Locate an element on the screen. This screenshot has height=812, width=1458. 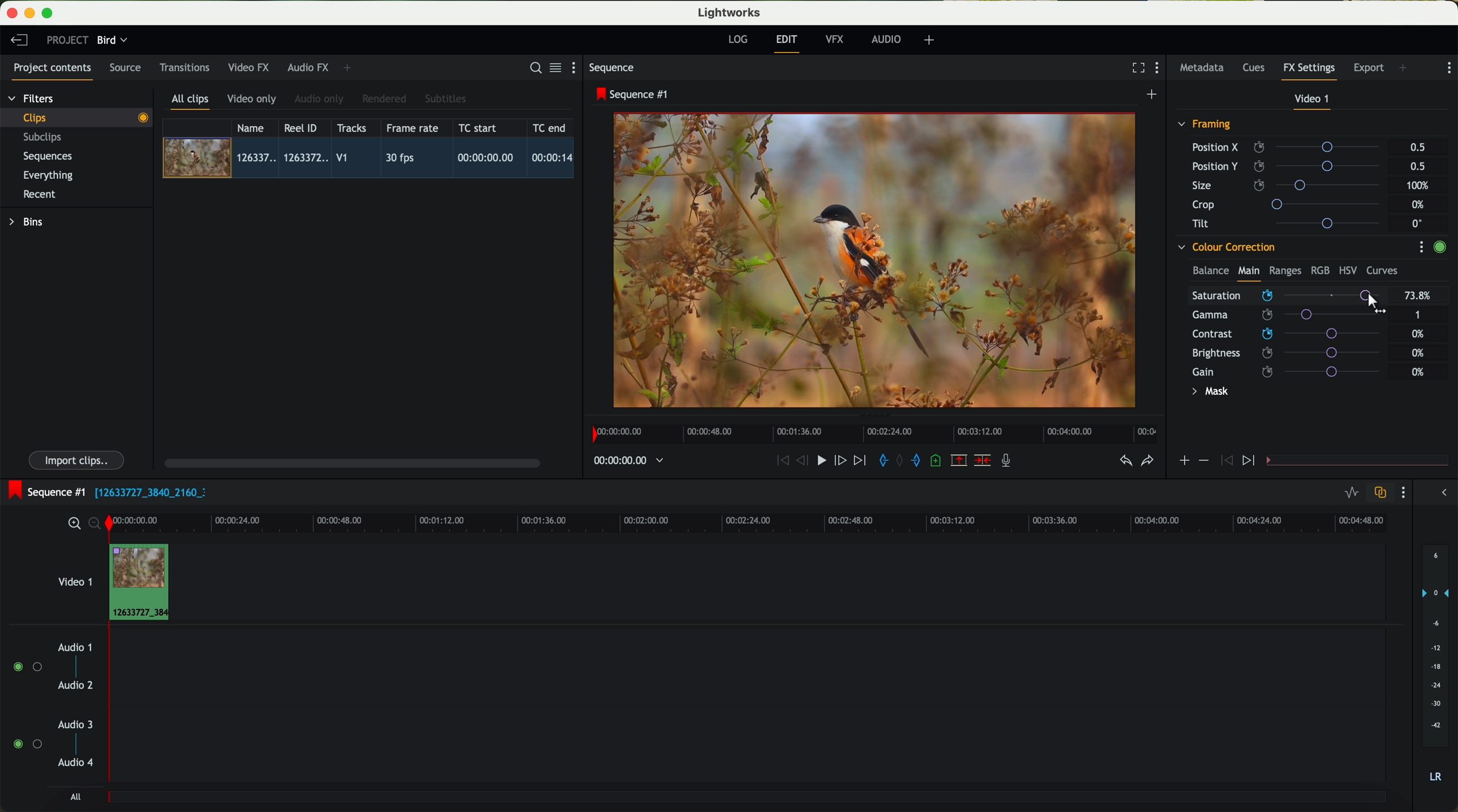
name is located at coordinates (255, 128).